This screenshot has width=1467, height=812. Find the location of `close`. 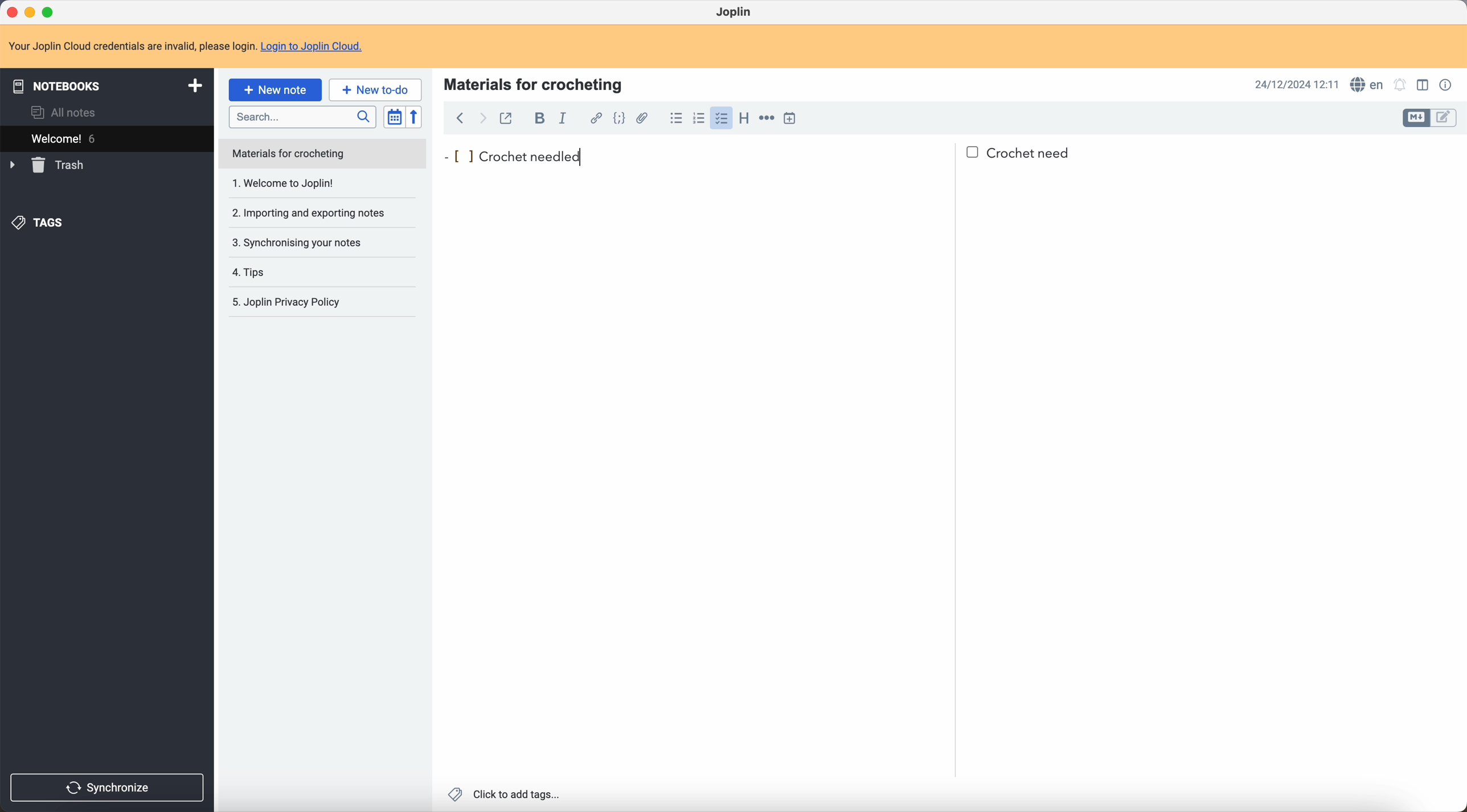

close is located at coordinates (14, 12).